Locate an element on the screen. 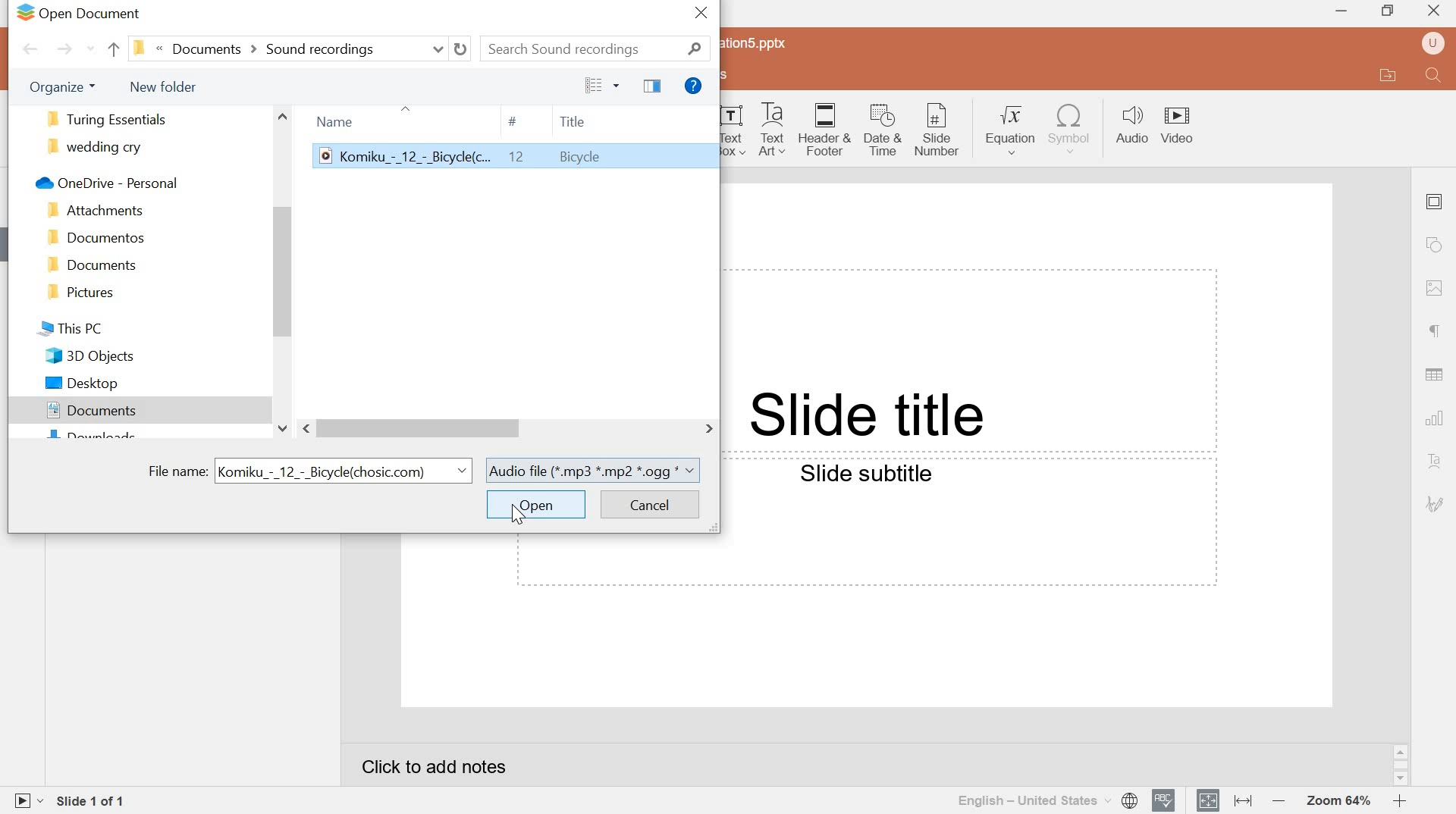 The height and width of the screenshot is (814, 1456). open document is located at coordinates (94, 13).